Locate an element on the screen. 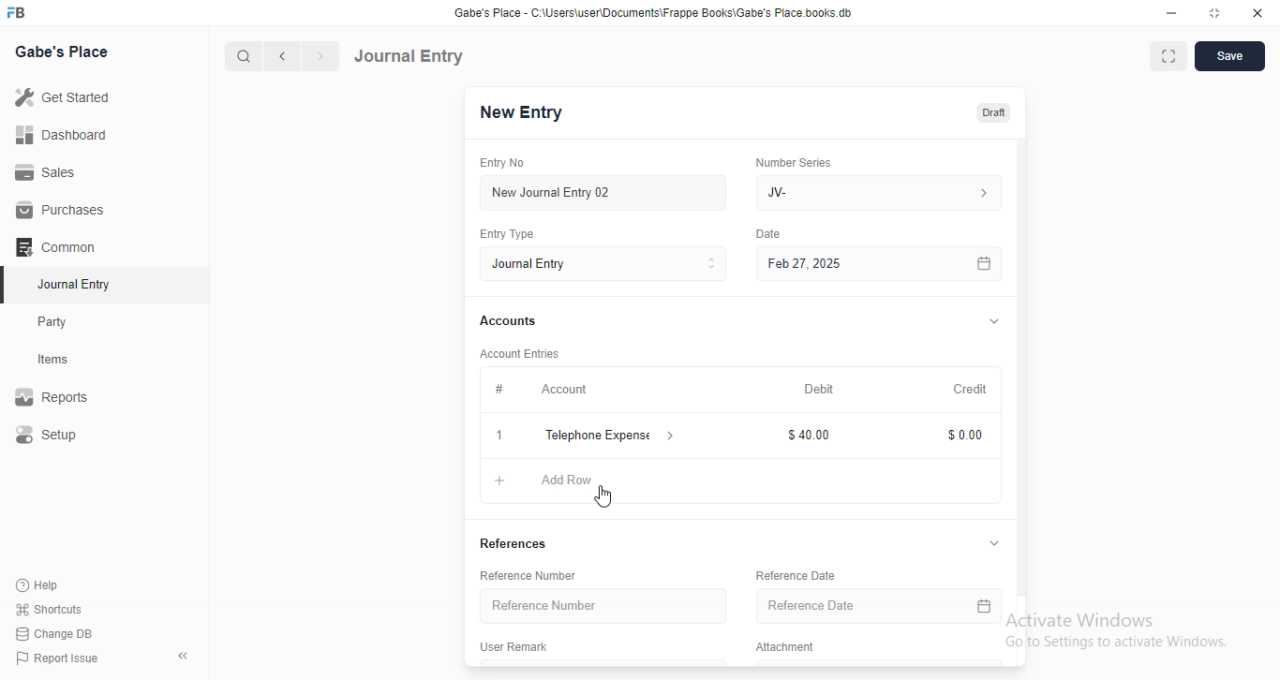 Image resolution: width=1280 pixels, height=680 pixels. Journal Entry is located at coordinates (70, 284).